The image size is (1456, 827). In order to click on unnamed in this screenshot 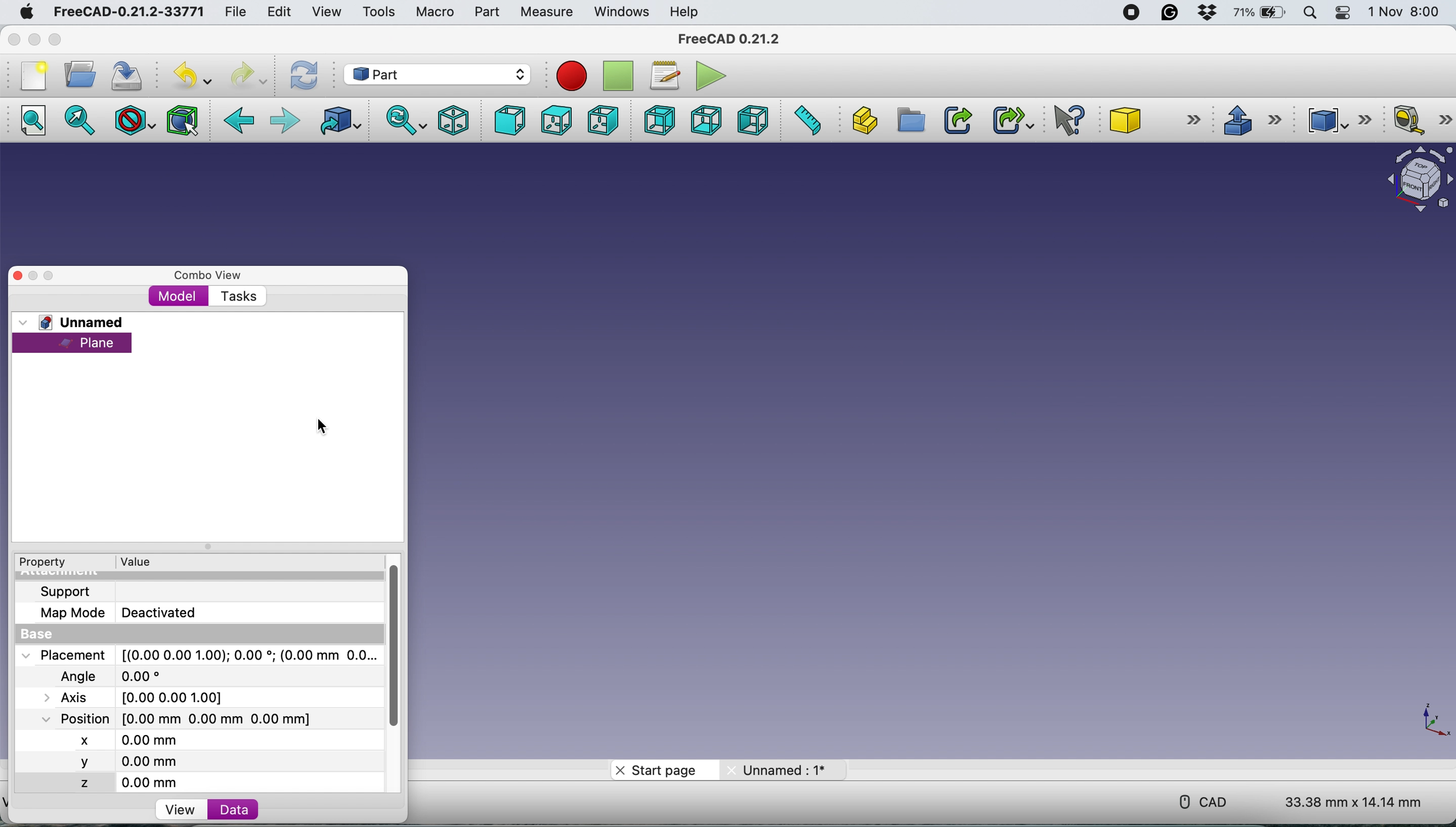, I will do `click(75, 322)`.